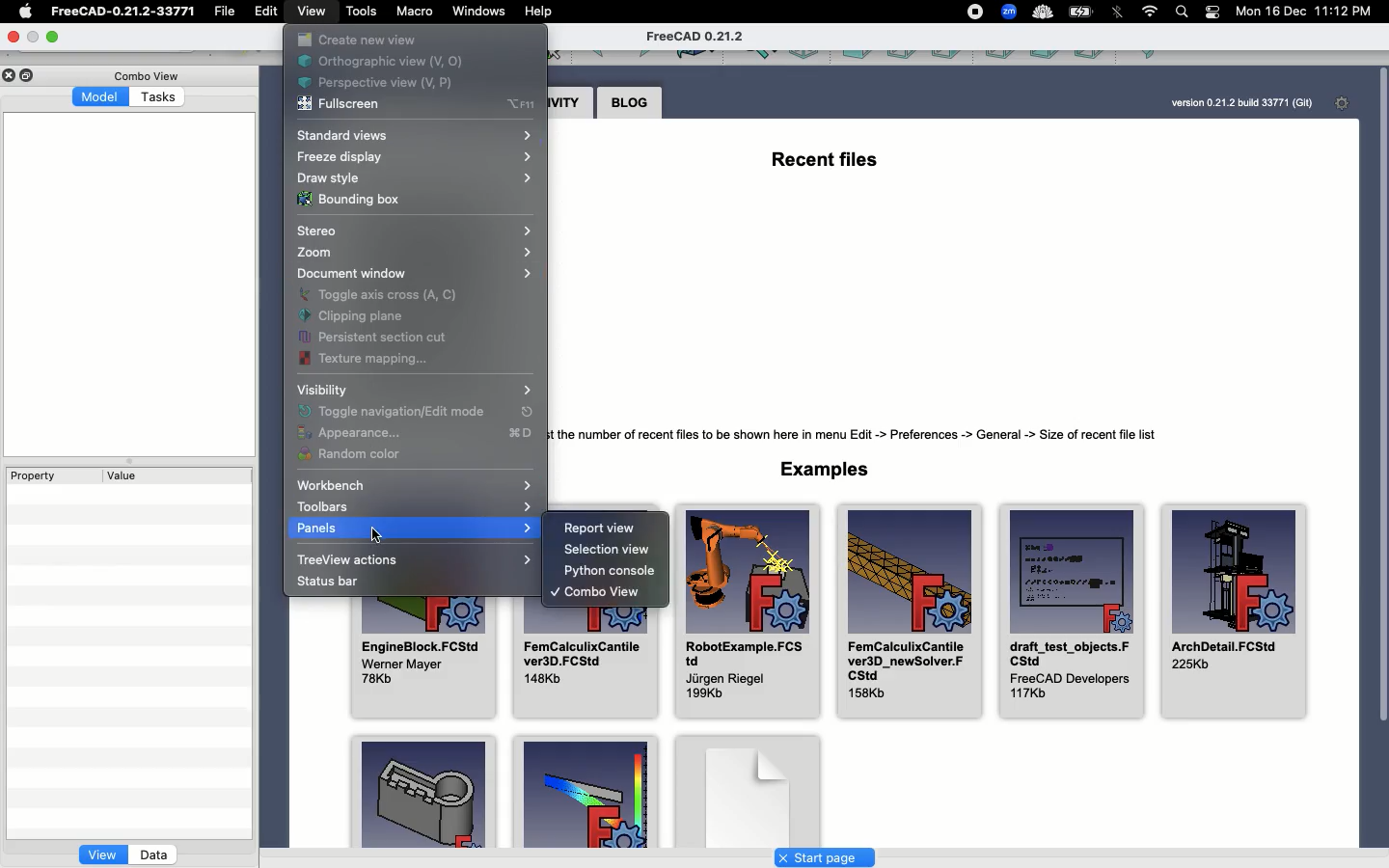 This screenshot has width=1389, height=868. Describe the element at coordinates (541, 10) in the screenshot. I see `Help` at that location.